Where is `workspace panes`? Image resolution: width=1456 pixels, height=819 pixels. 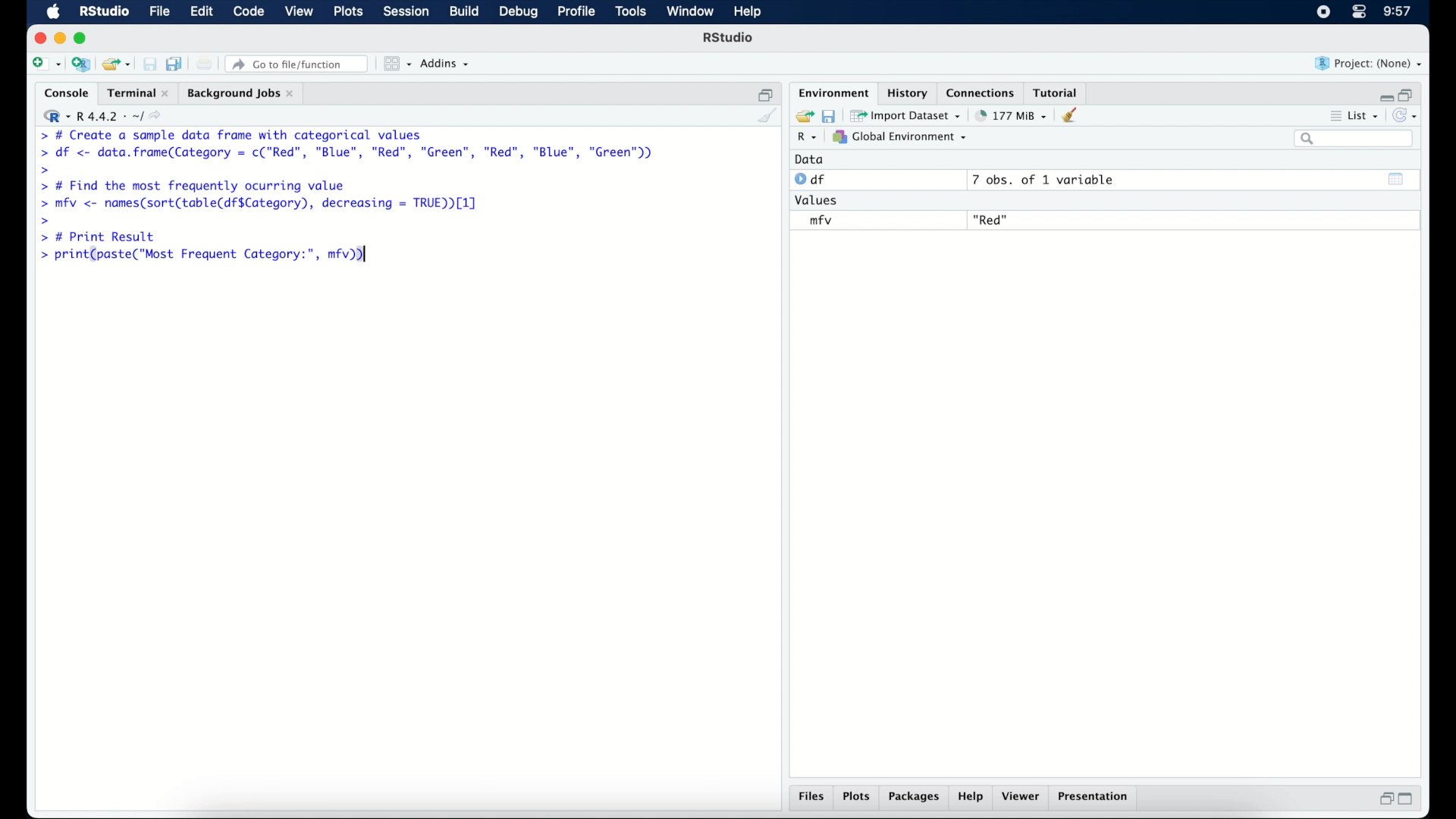
workspace panes is located at coordinates (397, 64).